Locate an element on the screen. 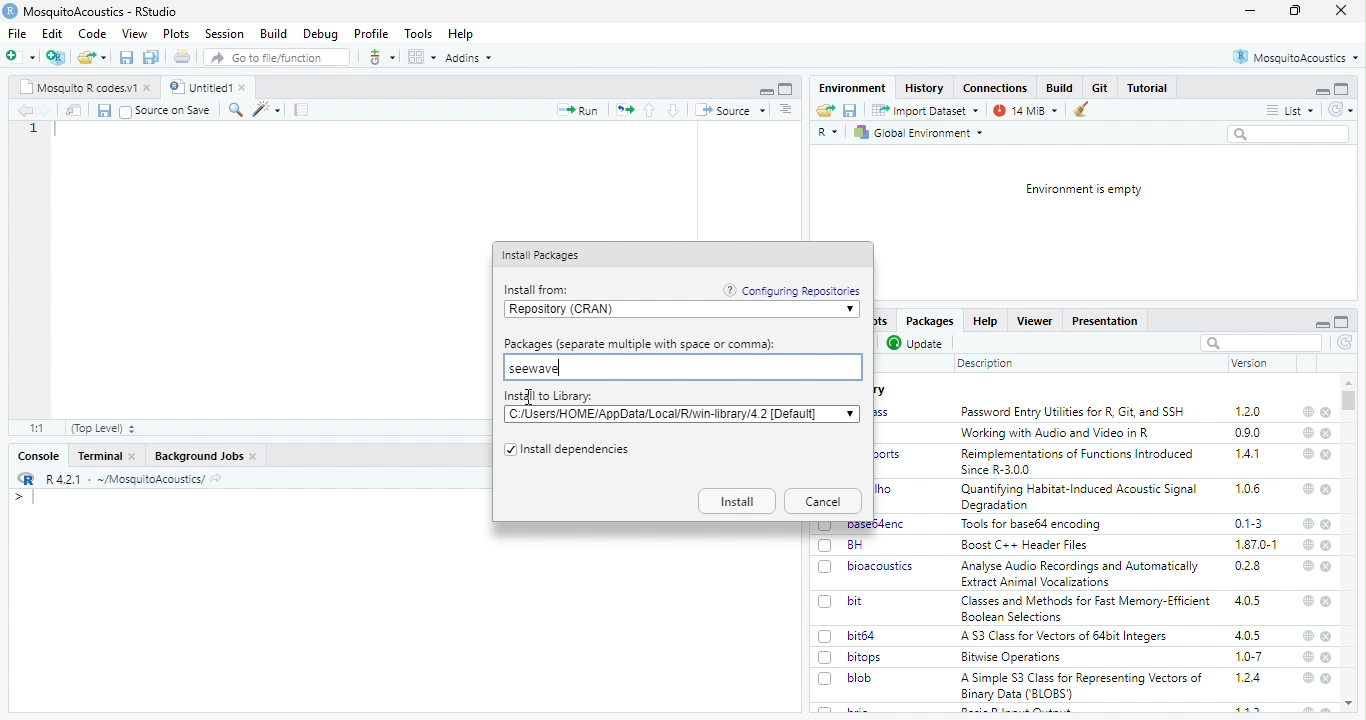  close is located at coordinates (1325, 524).